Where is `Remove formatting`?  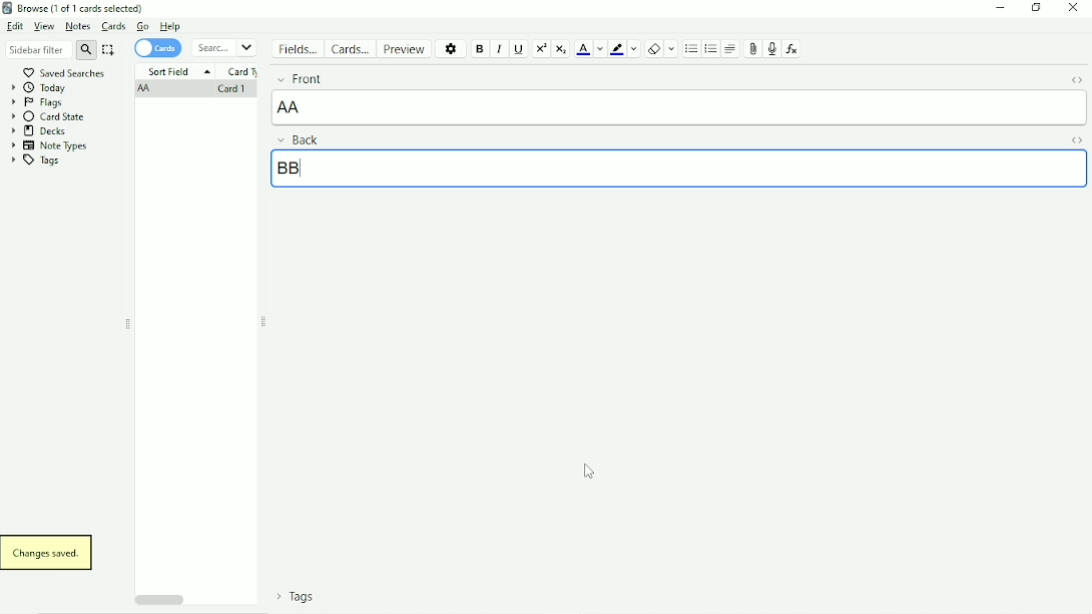
Remove formatting is located at coordinates (654, 49).